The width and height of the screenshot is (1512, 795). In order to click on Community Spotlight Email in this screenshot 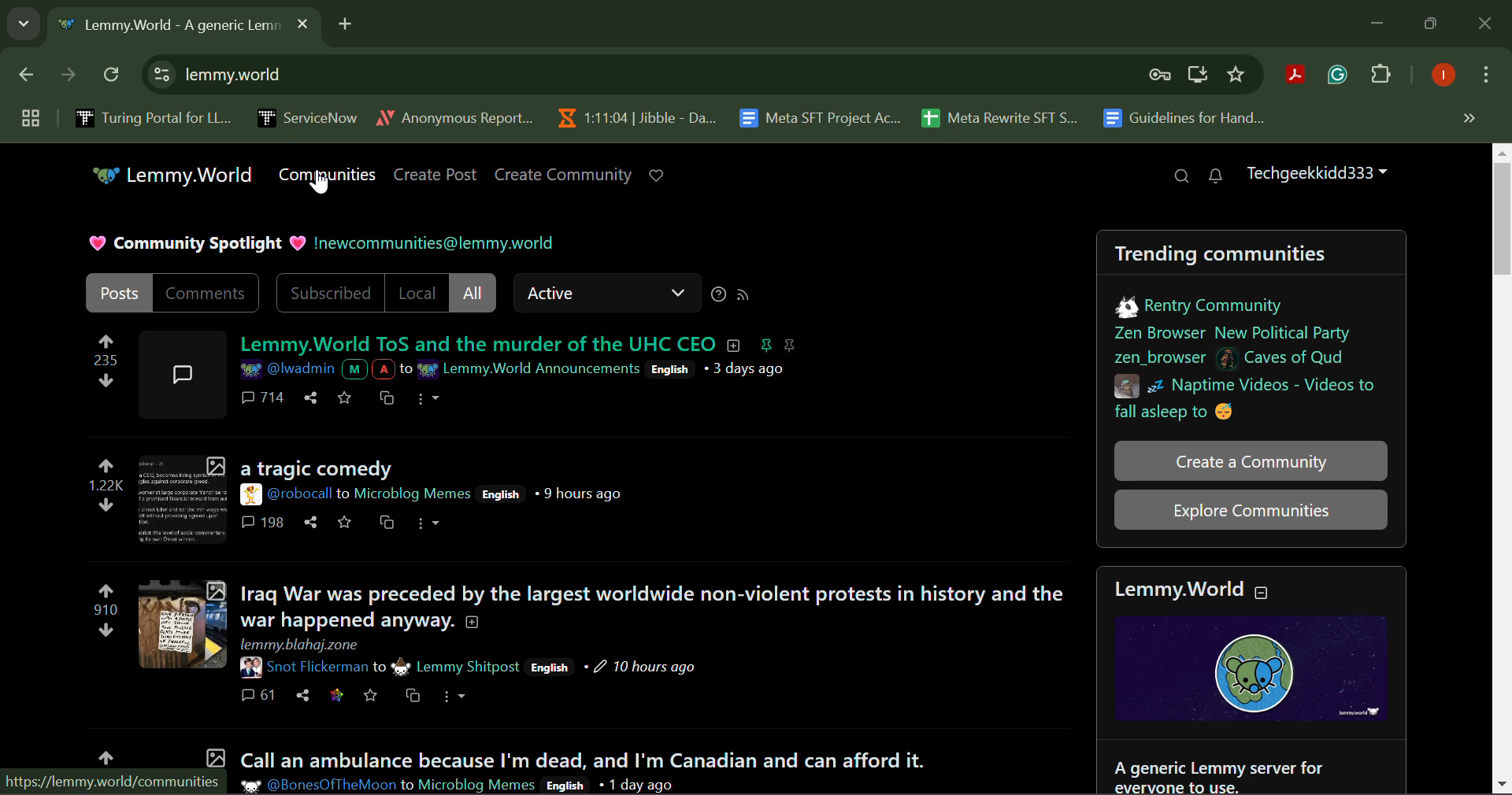, I will do `click(439, 243)`.